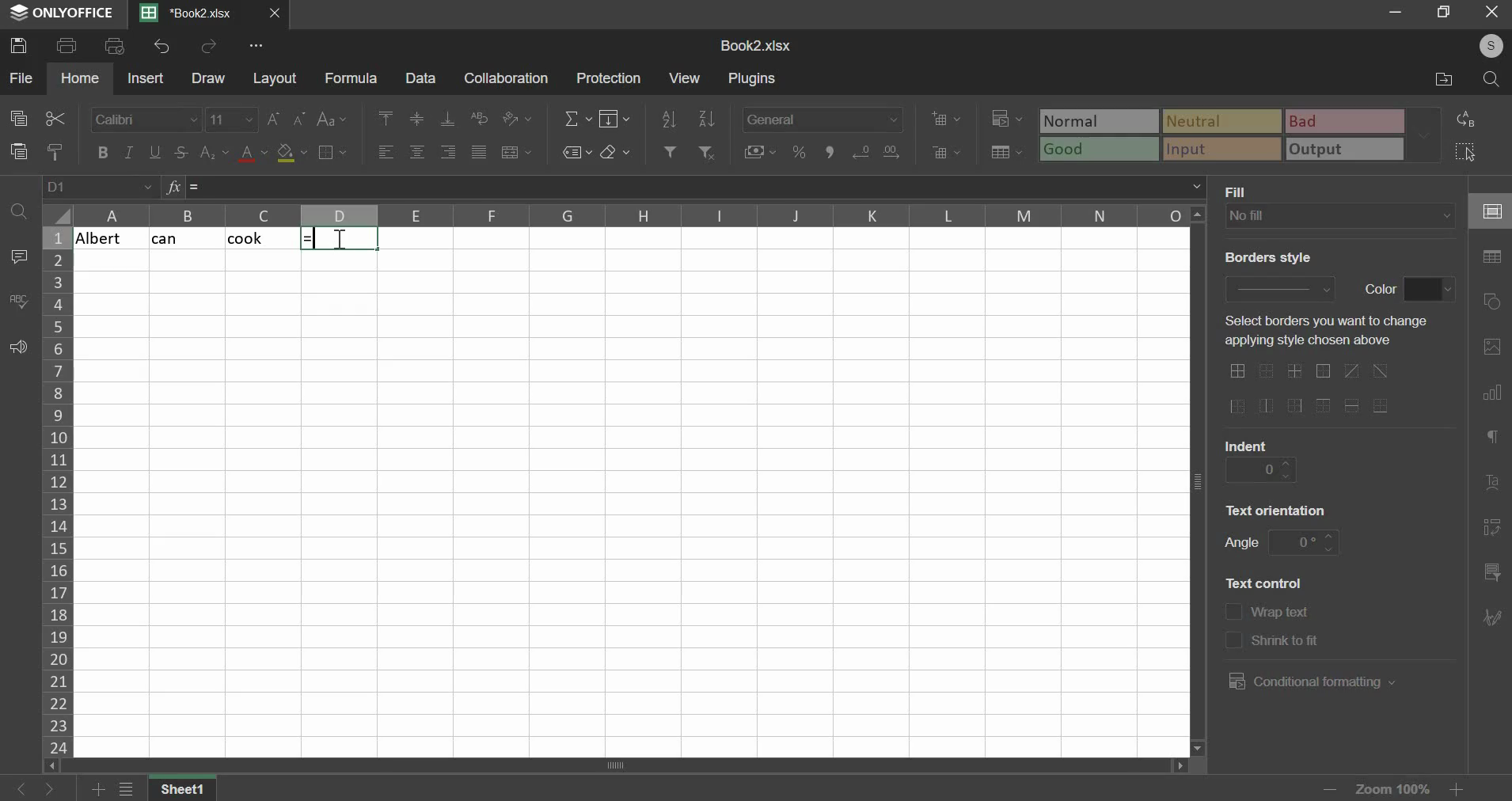 This screenshot has width=1512, height=801. I want to click on save as table, so click(1008, 153).